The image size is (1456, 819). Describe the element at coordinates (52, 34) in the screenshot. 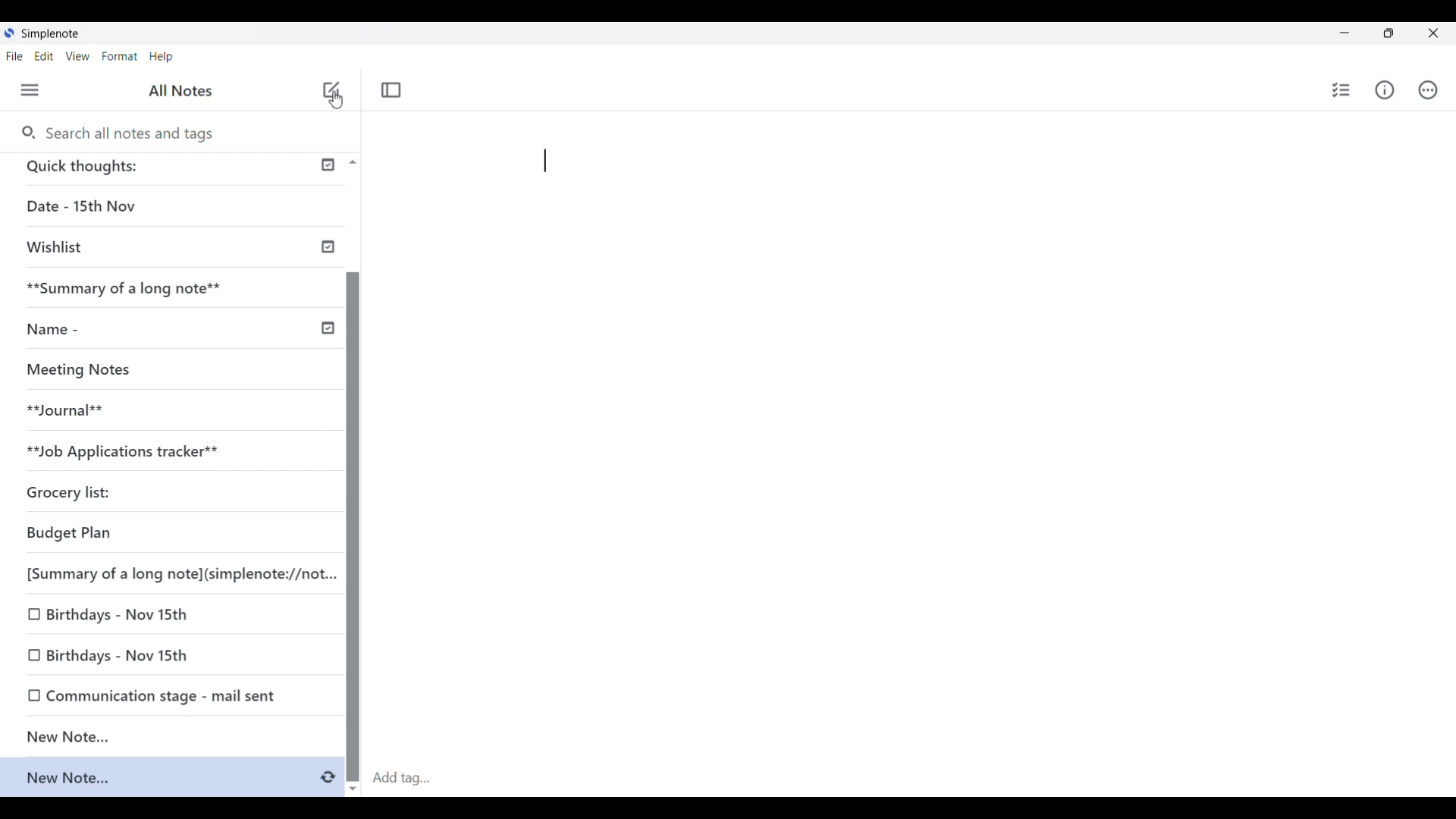

I see `Software name` at that location.